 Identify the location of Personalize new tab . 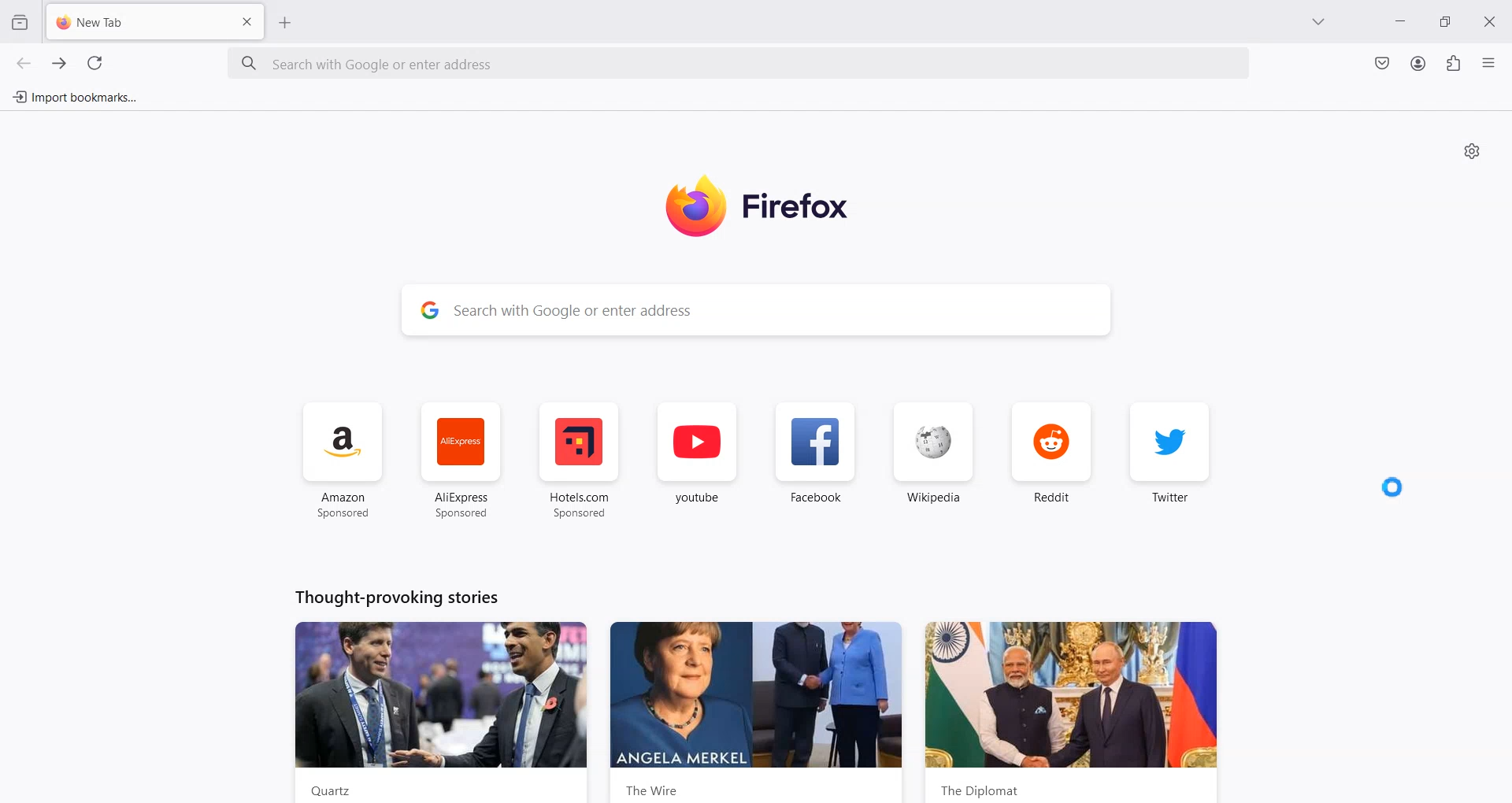
(1472, 150).